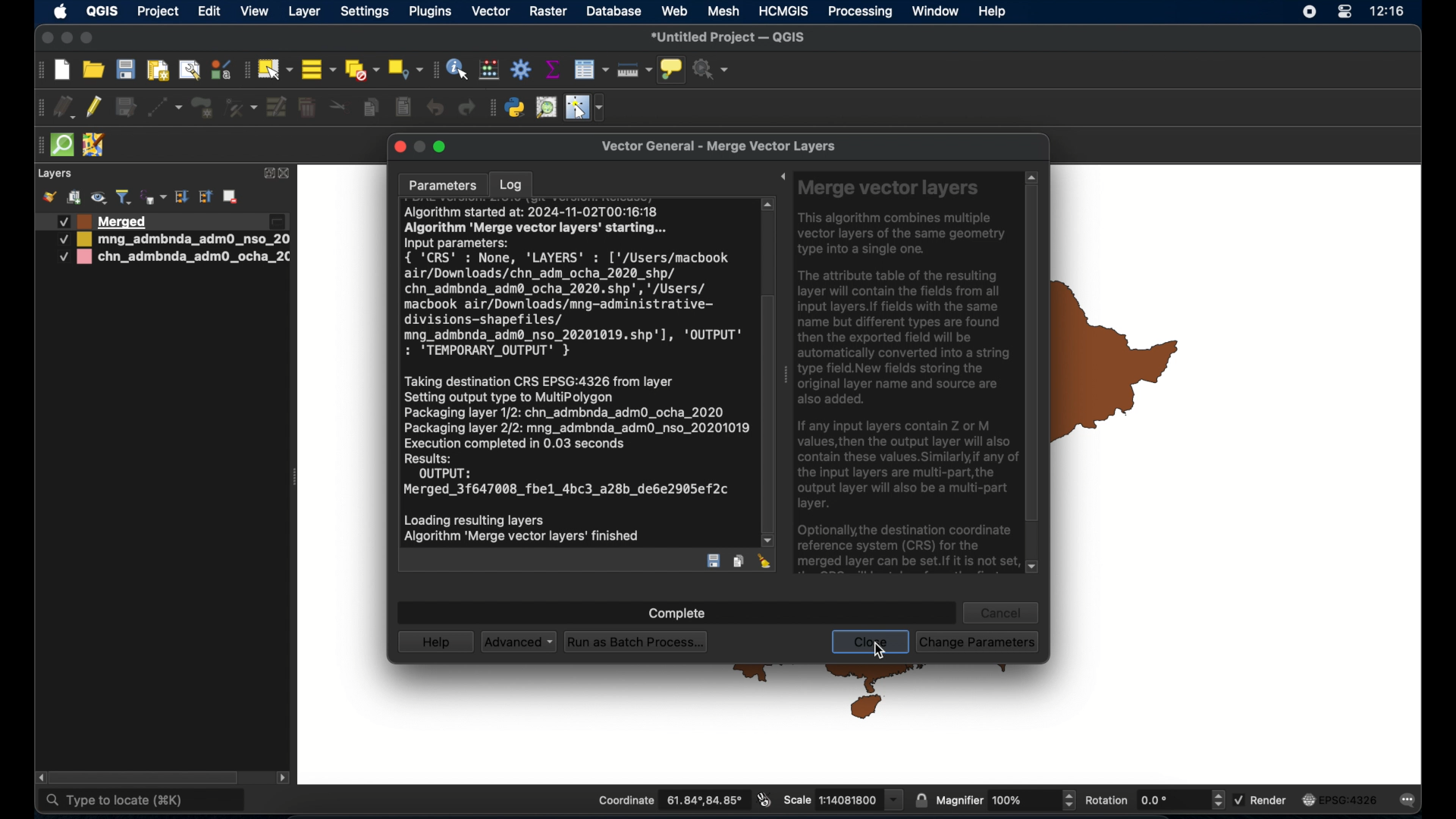 The image size is (1456, 819). I want to click on rotation, so click(1153, 801).